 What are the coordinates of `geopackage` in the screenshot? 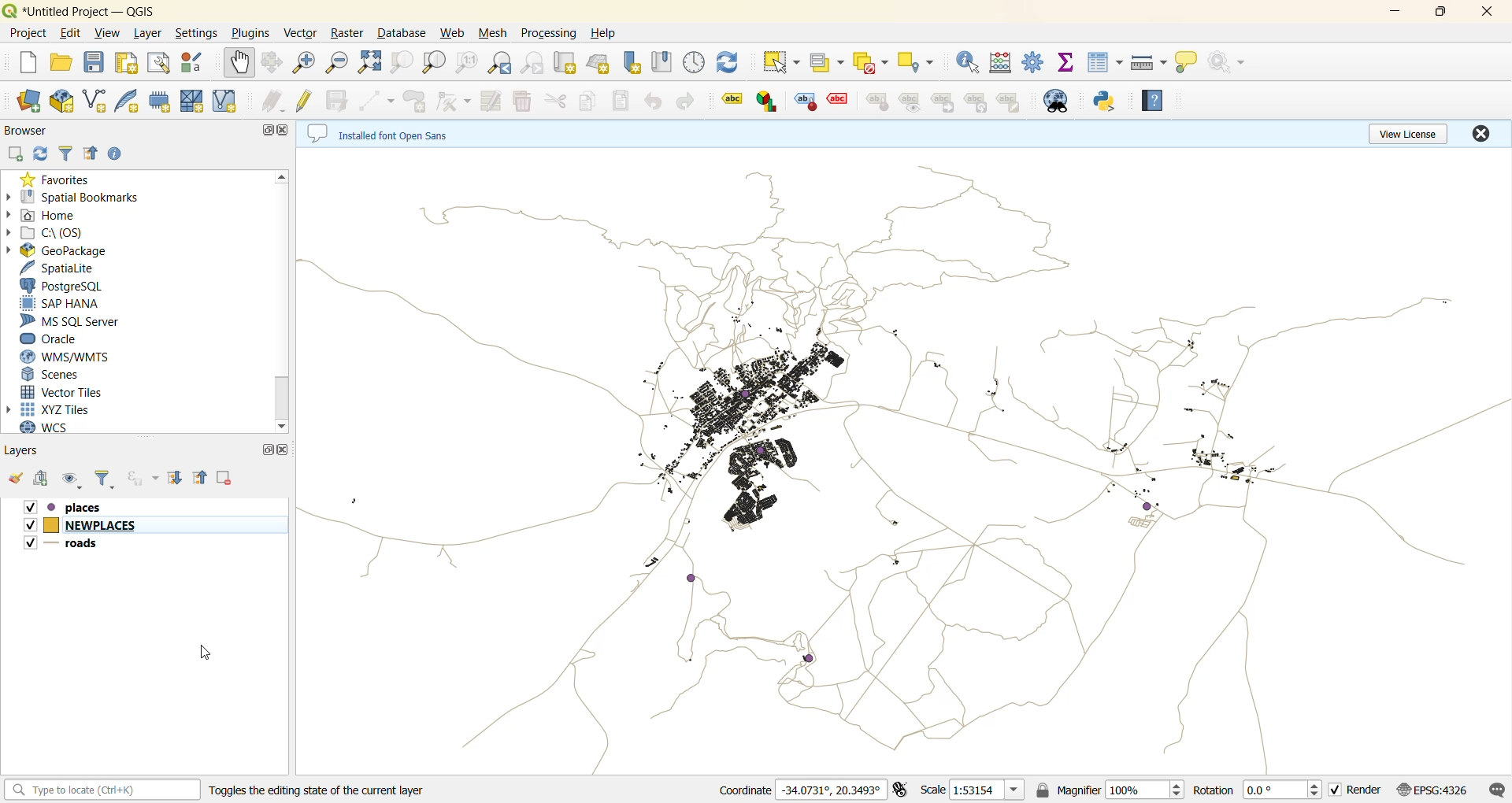 It's located at (58, 252).